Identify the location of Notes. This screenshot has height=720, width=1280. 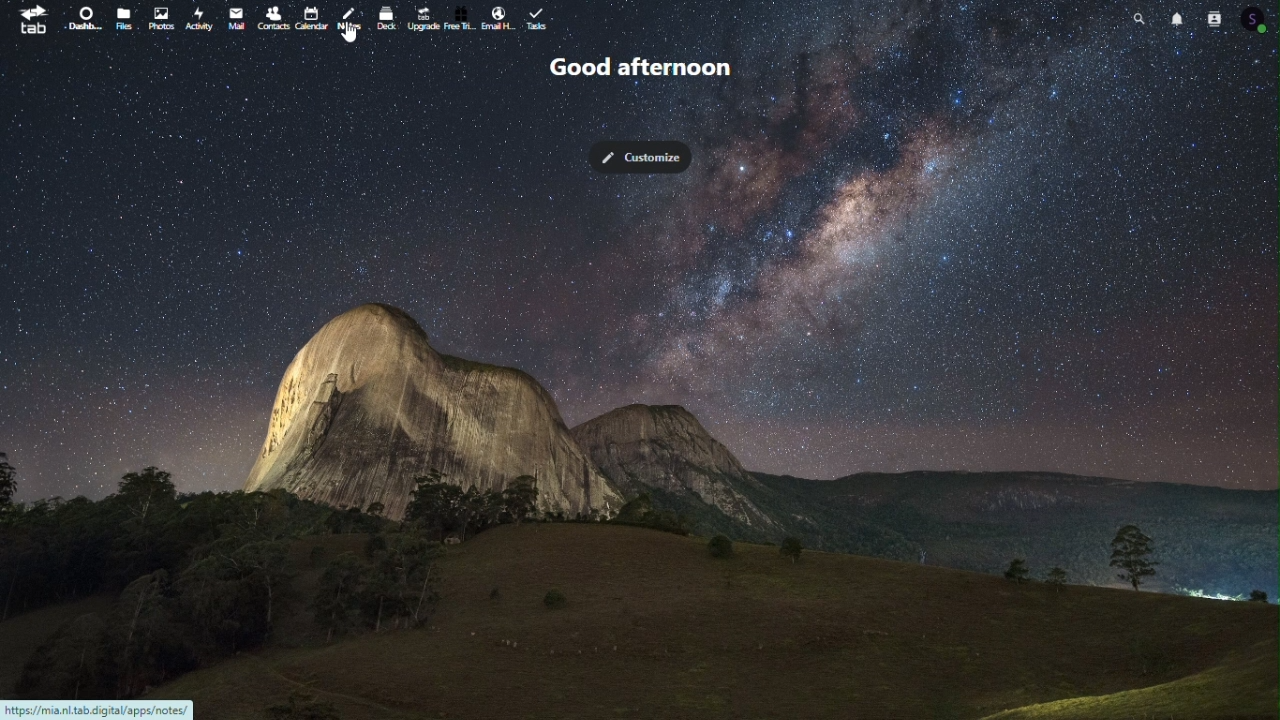
(346, 19).